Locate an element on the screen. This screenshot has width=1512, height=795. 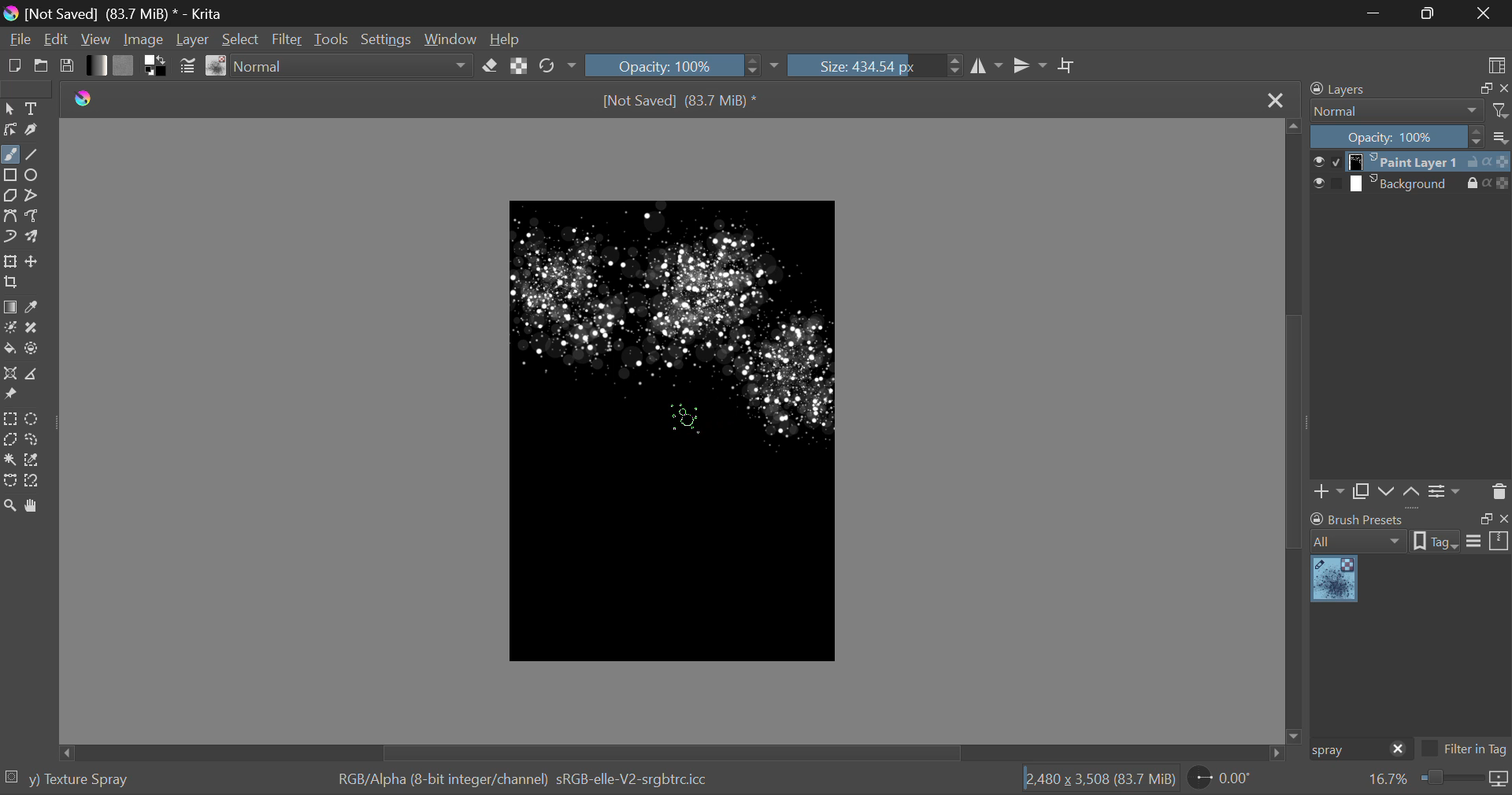
more is located at coordinates (1501, 136).